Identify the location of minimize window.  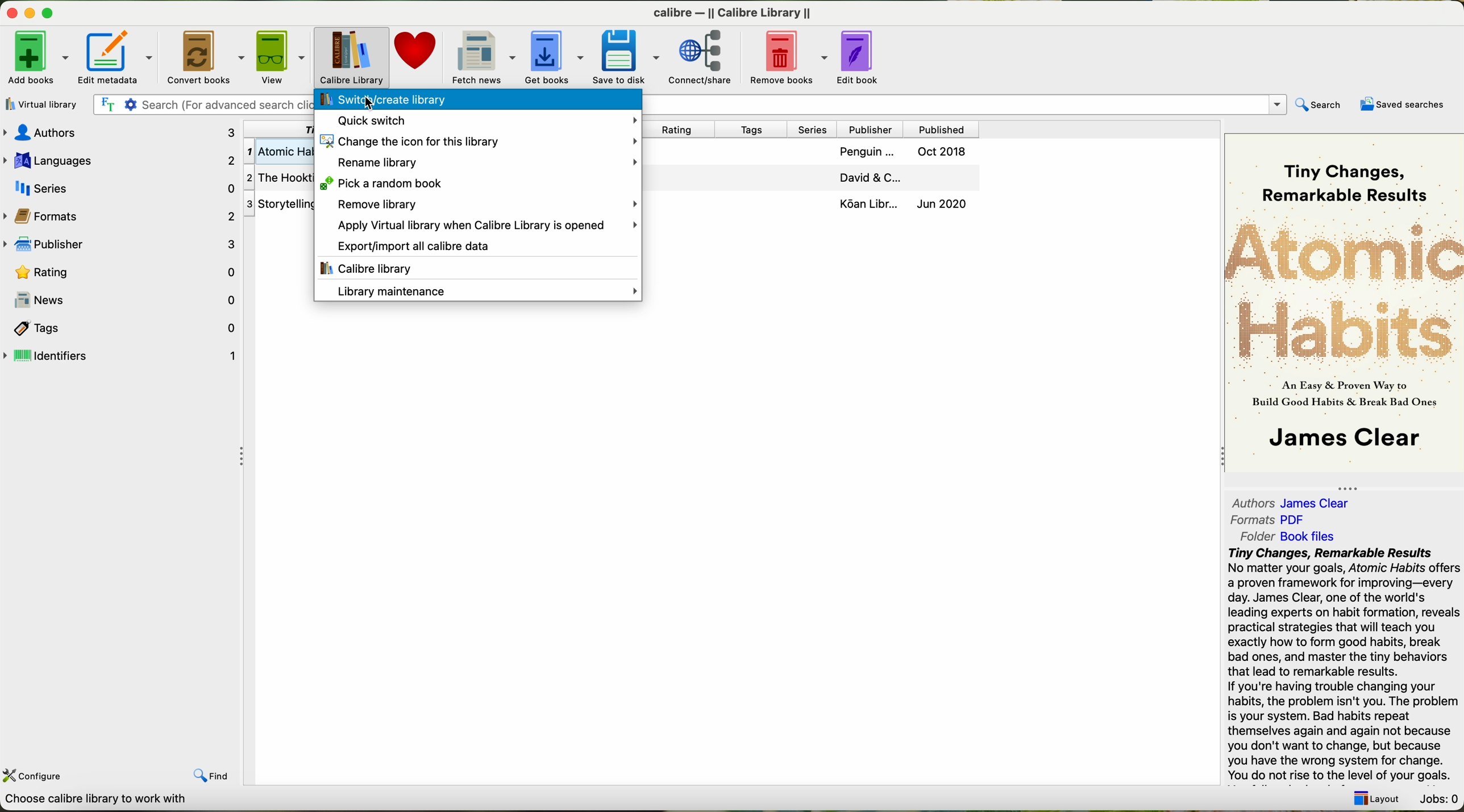
(30, 12).